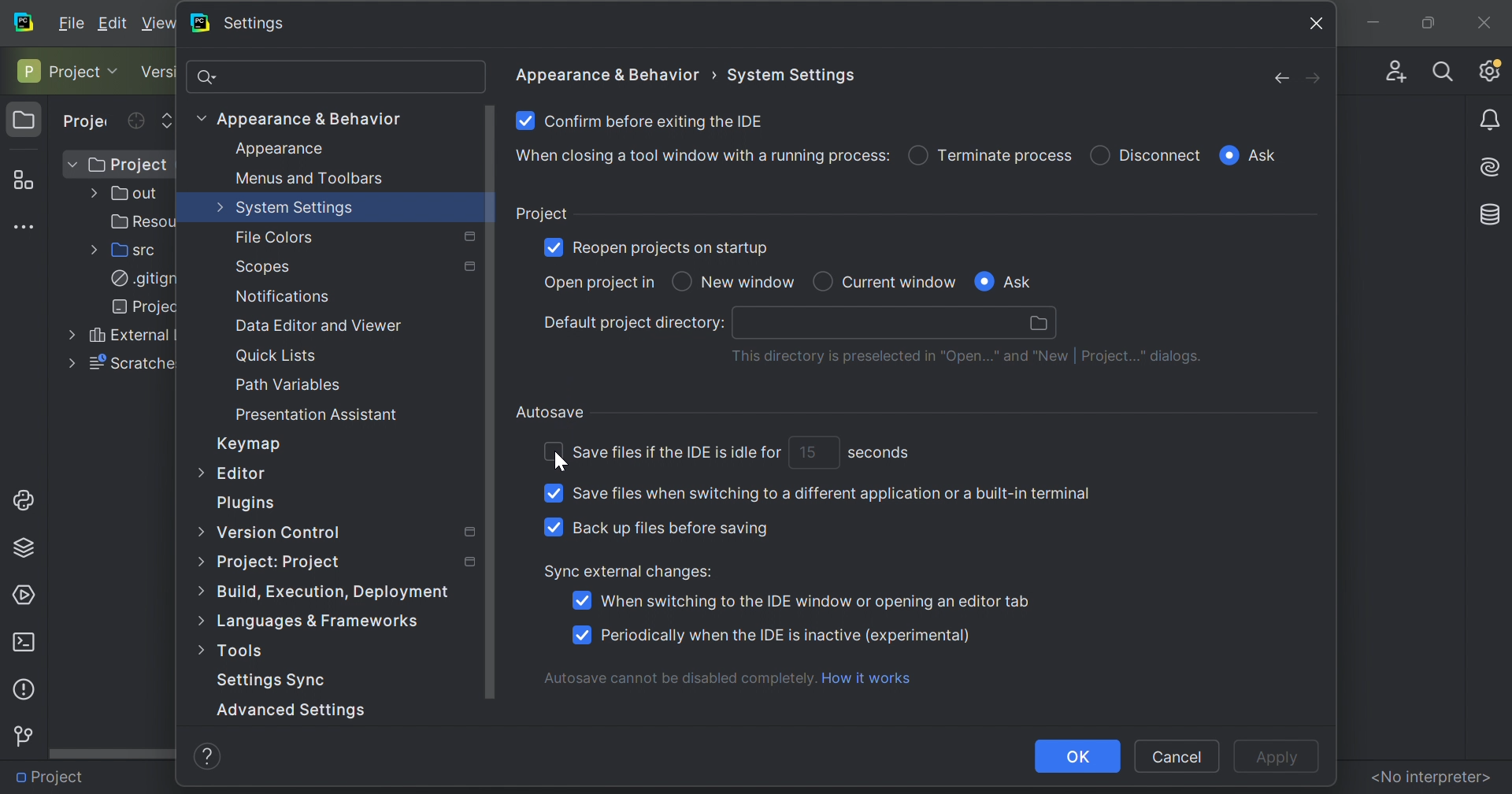 The image size is (1512, 794). What do you see at coordinates (280, 534) in the screenshot?
I see `Version control` at bounding box center [280, 534].